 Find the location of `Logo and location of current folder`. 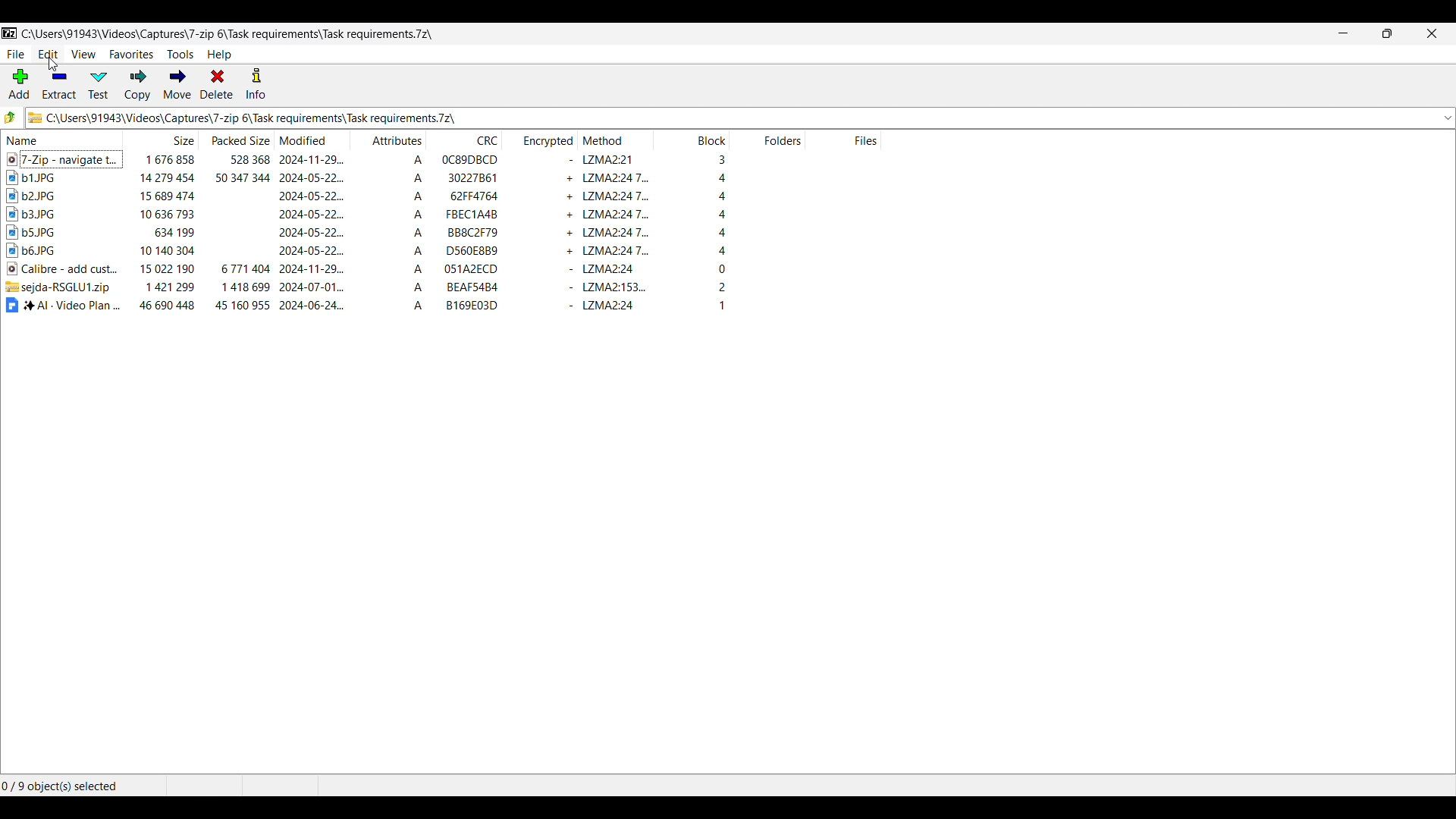

Logo and location of current folder is located at coordinates (731, 118).